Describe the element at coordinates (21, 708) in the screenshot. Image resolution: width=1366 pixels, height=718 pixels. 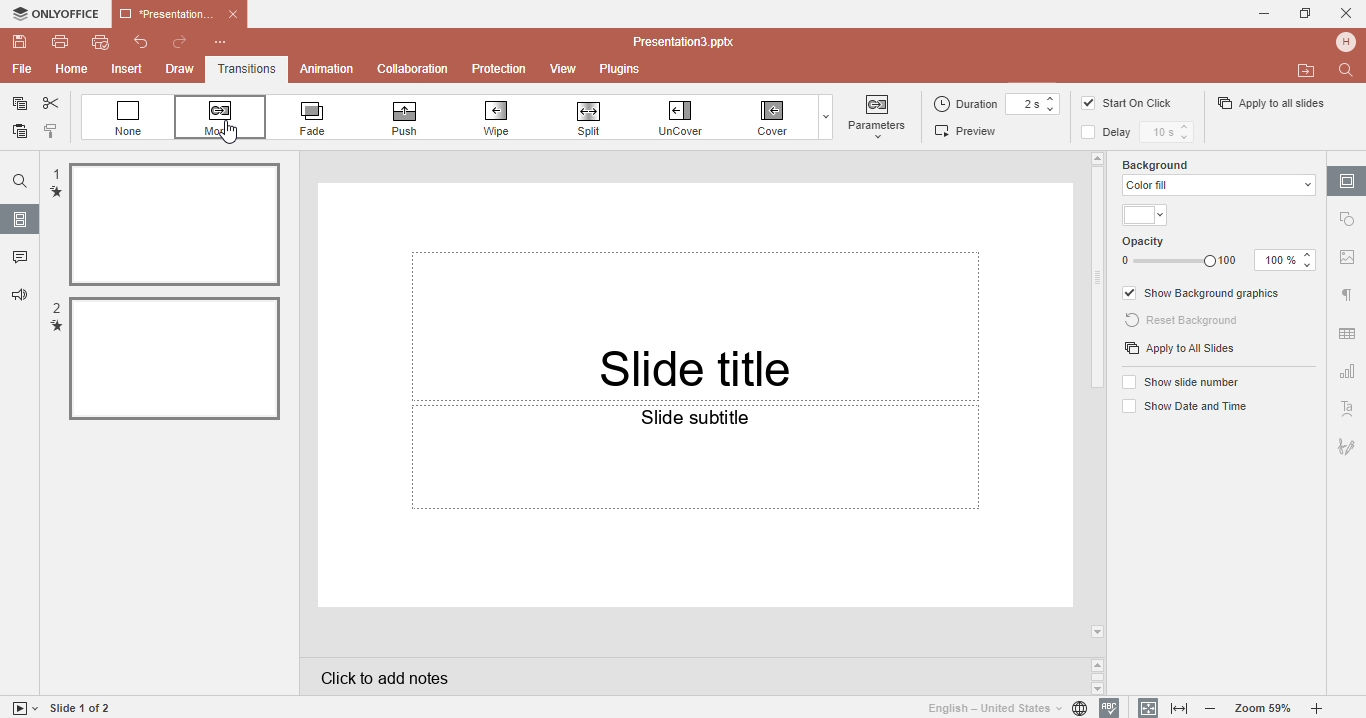
I see `Start slide show` at that location.